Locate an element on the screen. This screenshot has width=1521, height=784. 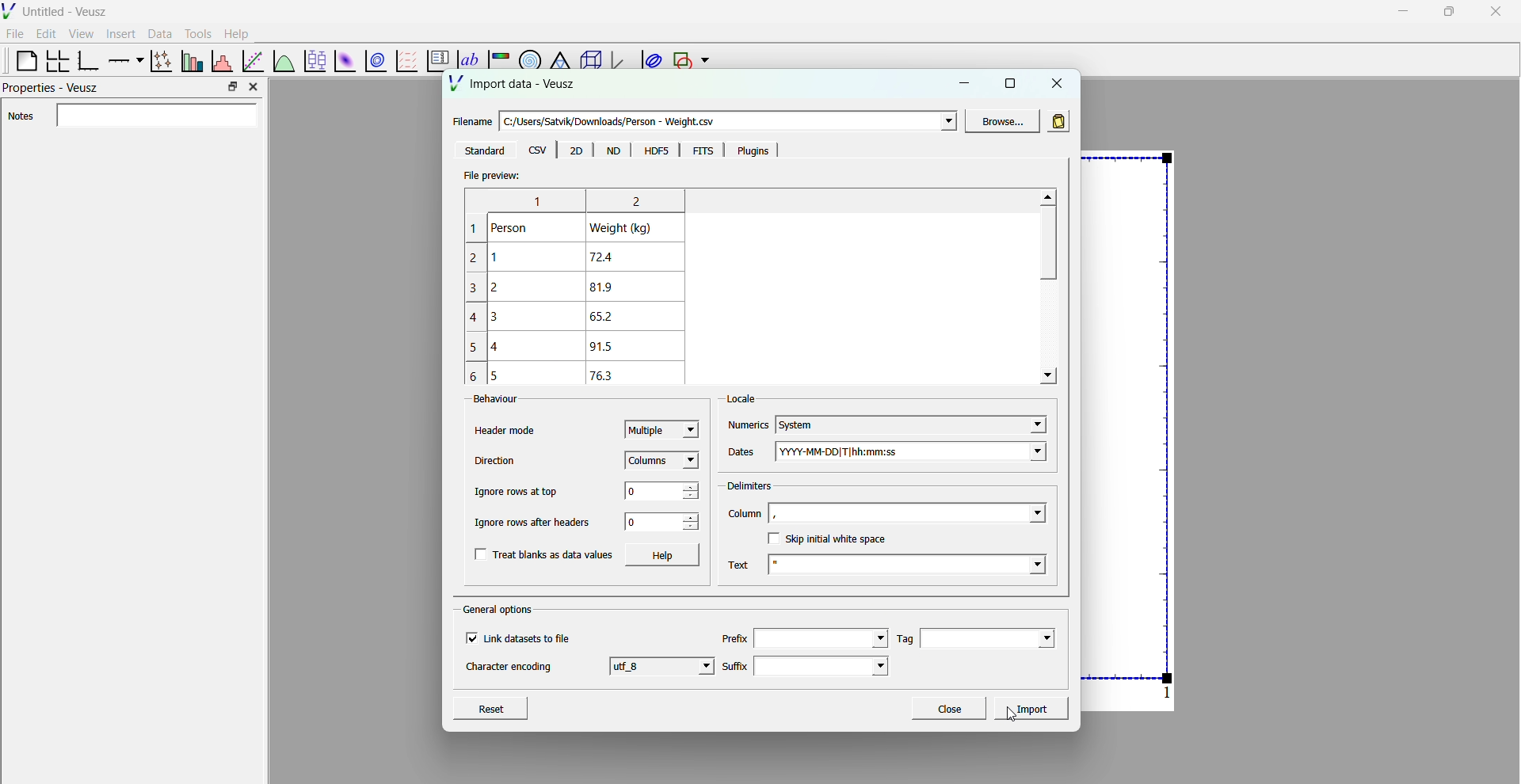
Blank - dropdown is located at coordinates (928, 512).